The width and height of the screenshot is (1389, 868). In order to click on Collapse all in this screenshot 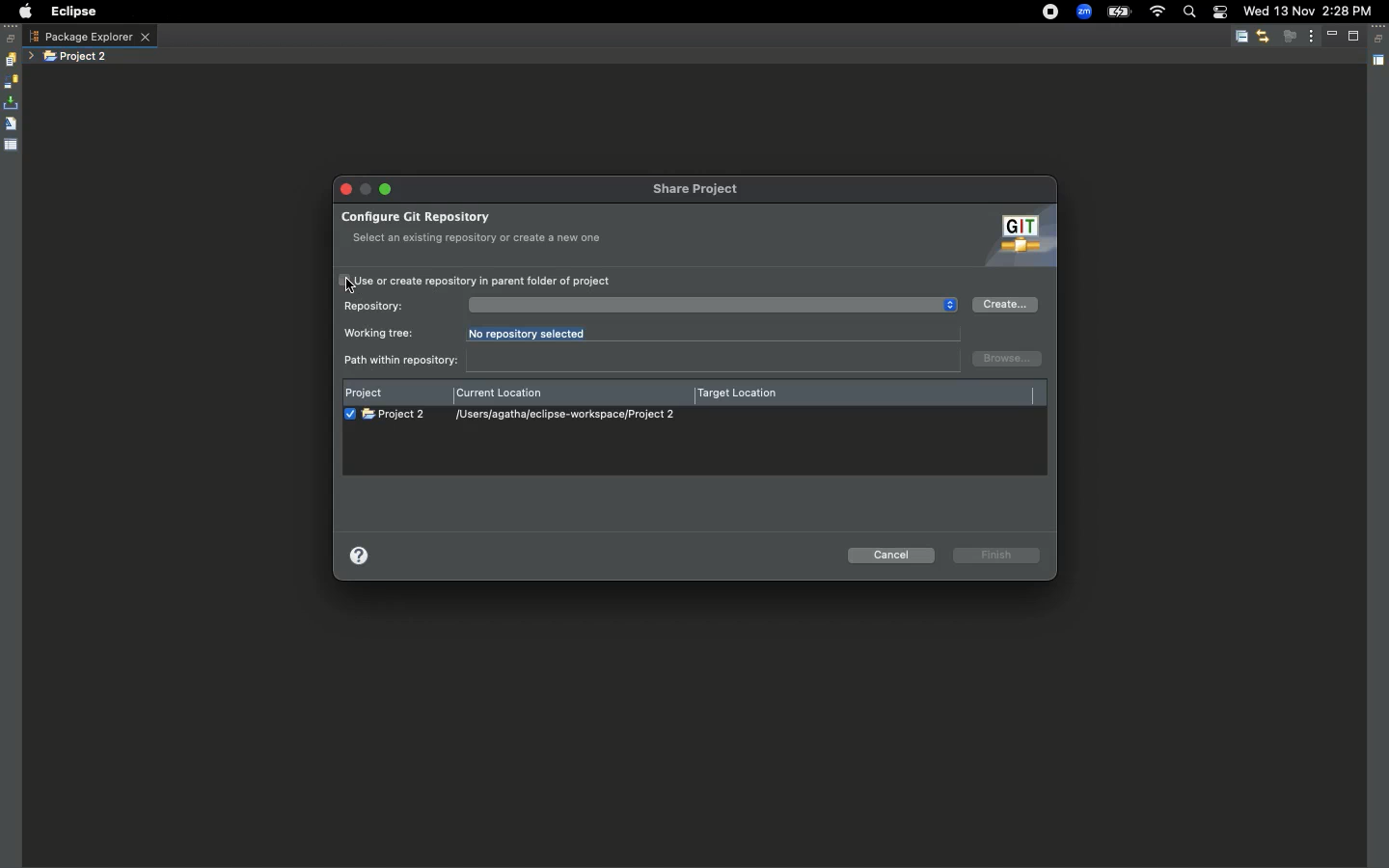, I will do `click(1241, 38)`.